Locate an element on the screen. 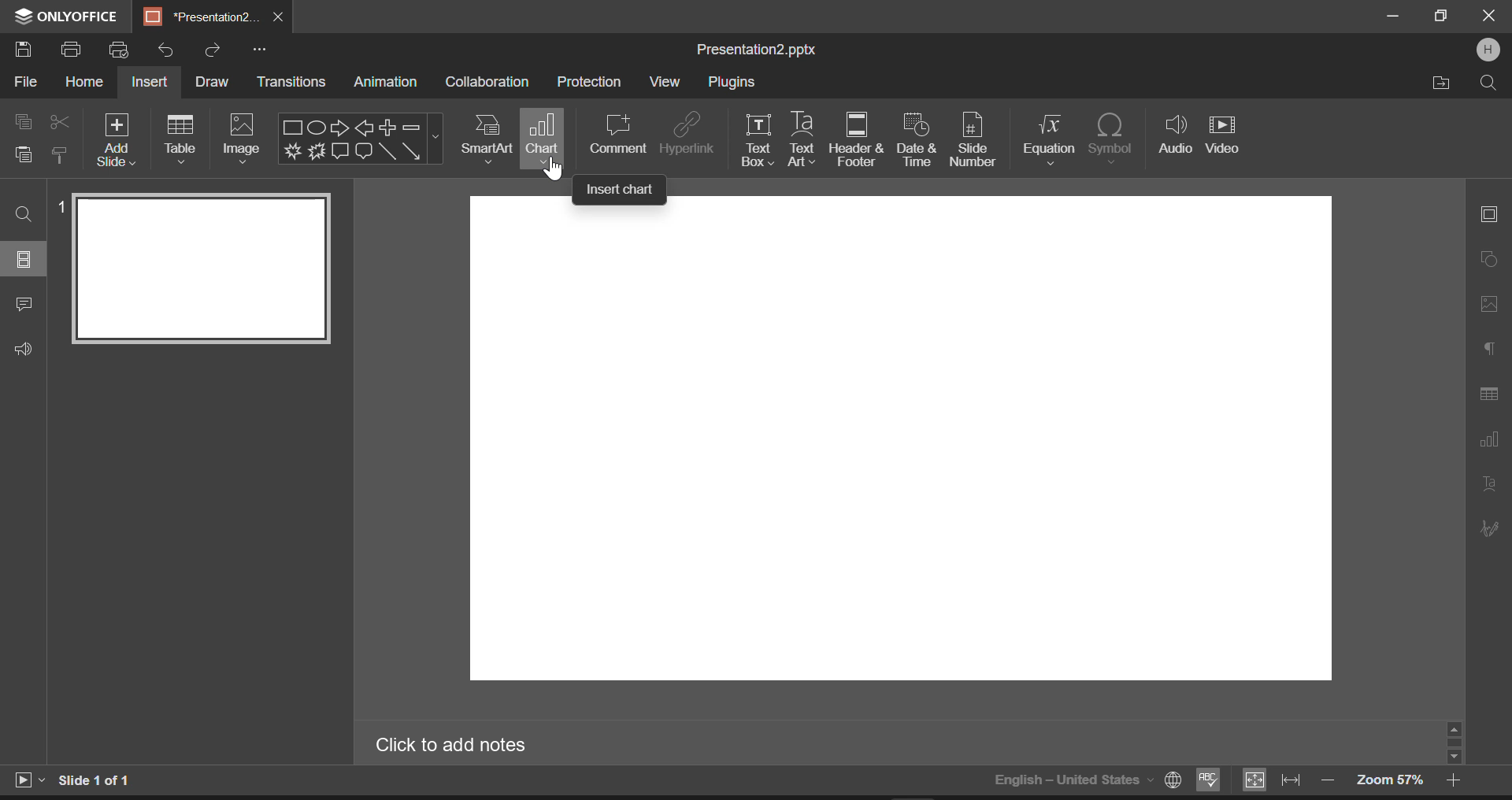  View is located at coordinates (665, 81).